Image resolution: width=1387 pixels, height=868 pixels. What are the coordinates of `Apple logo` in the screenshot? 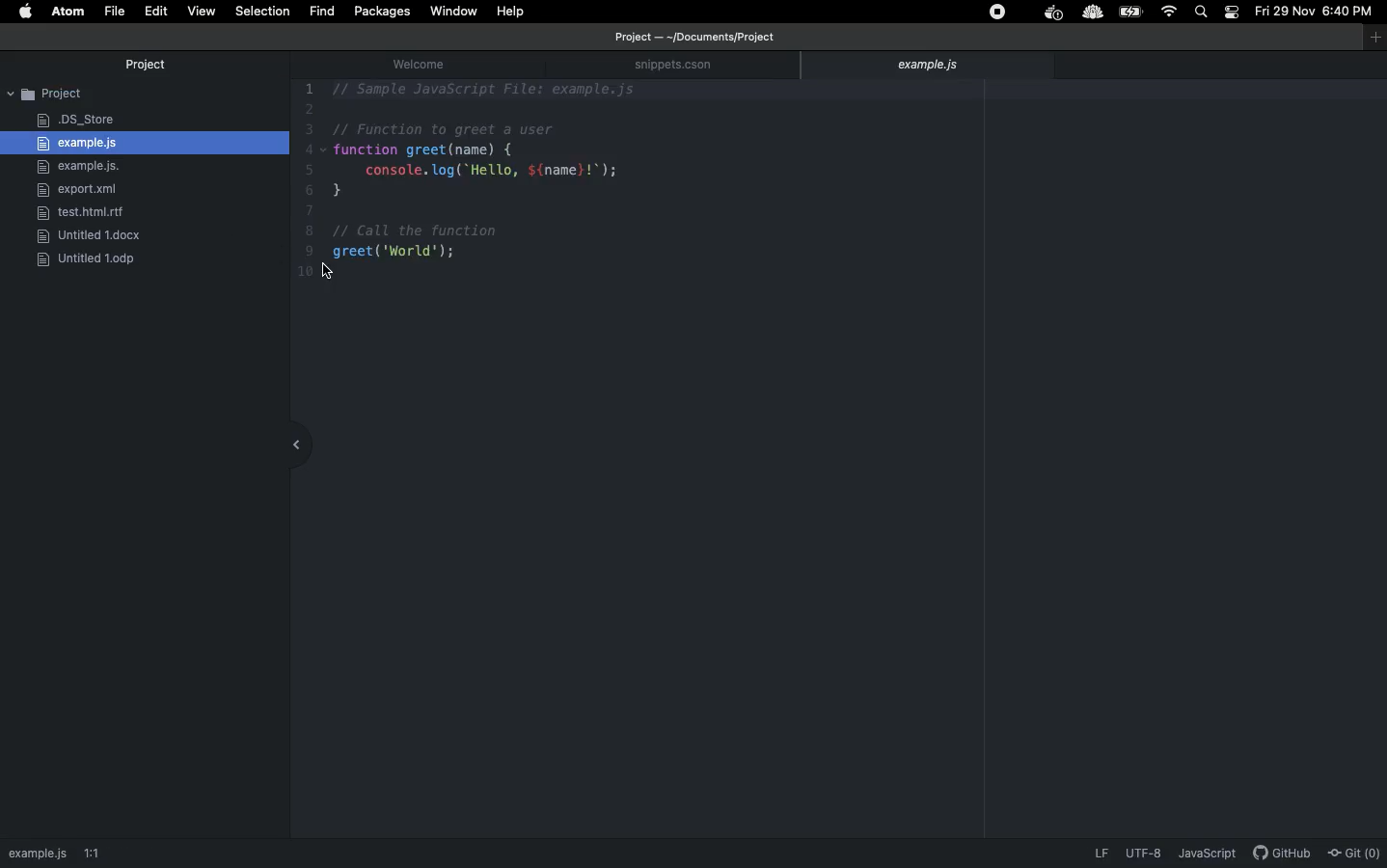 It's located at (28, 12).